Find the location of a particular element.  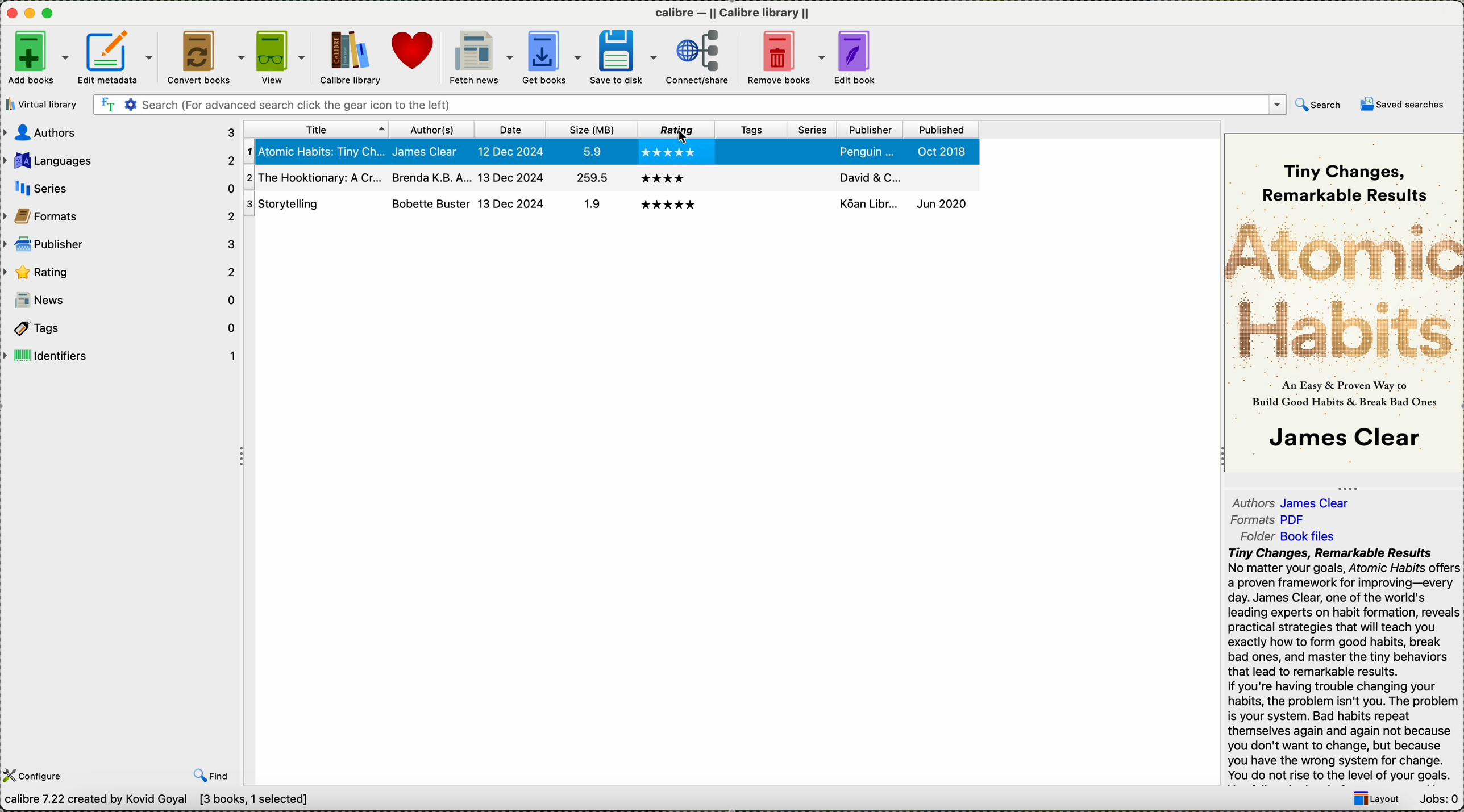

david & c... is located at coordinates (871, 176).